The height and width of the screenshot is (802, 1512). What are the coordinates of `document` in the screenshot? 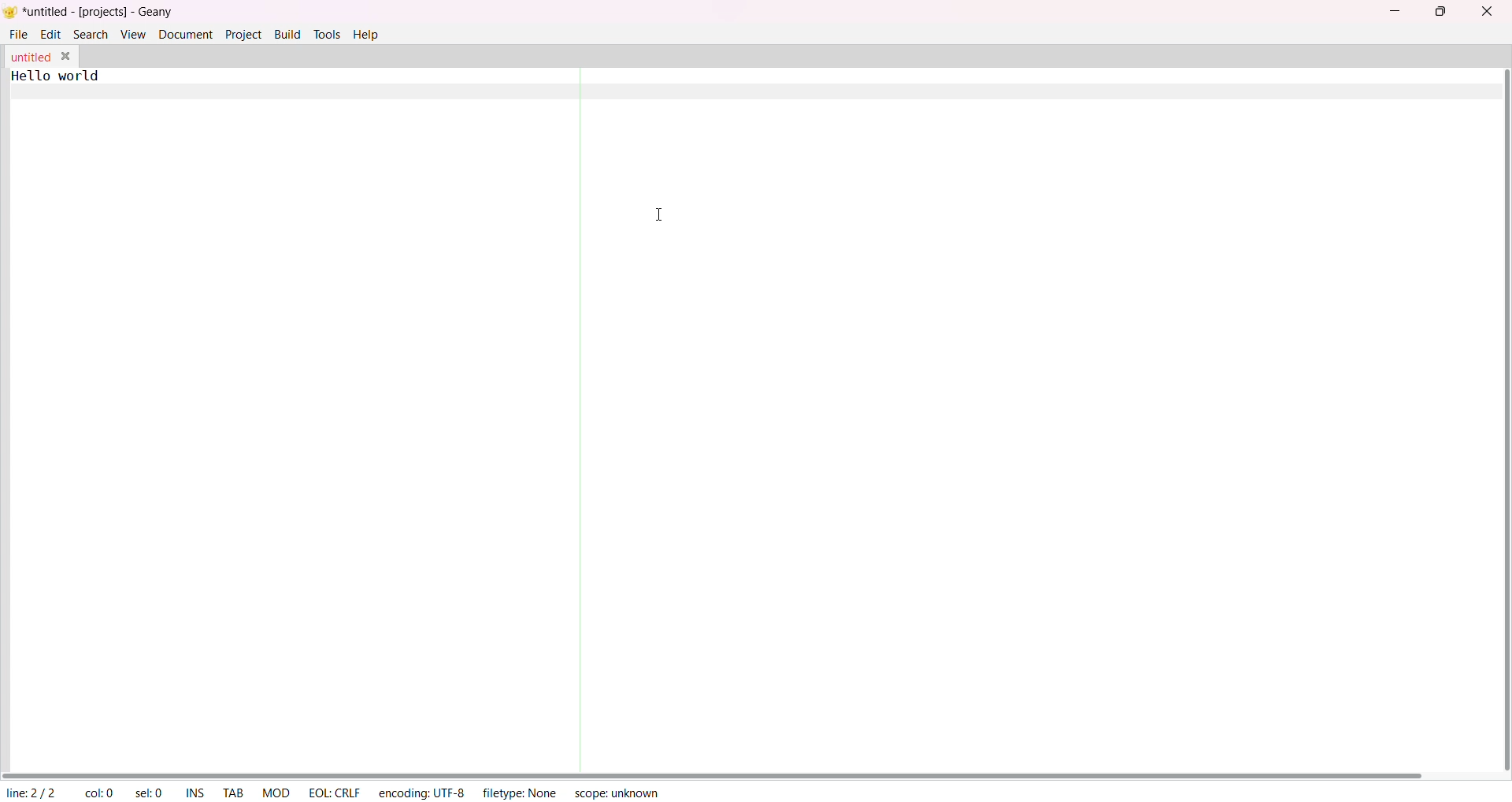 It's located at (186, 33).